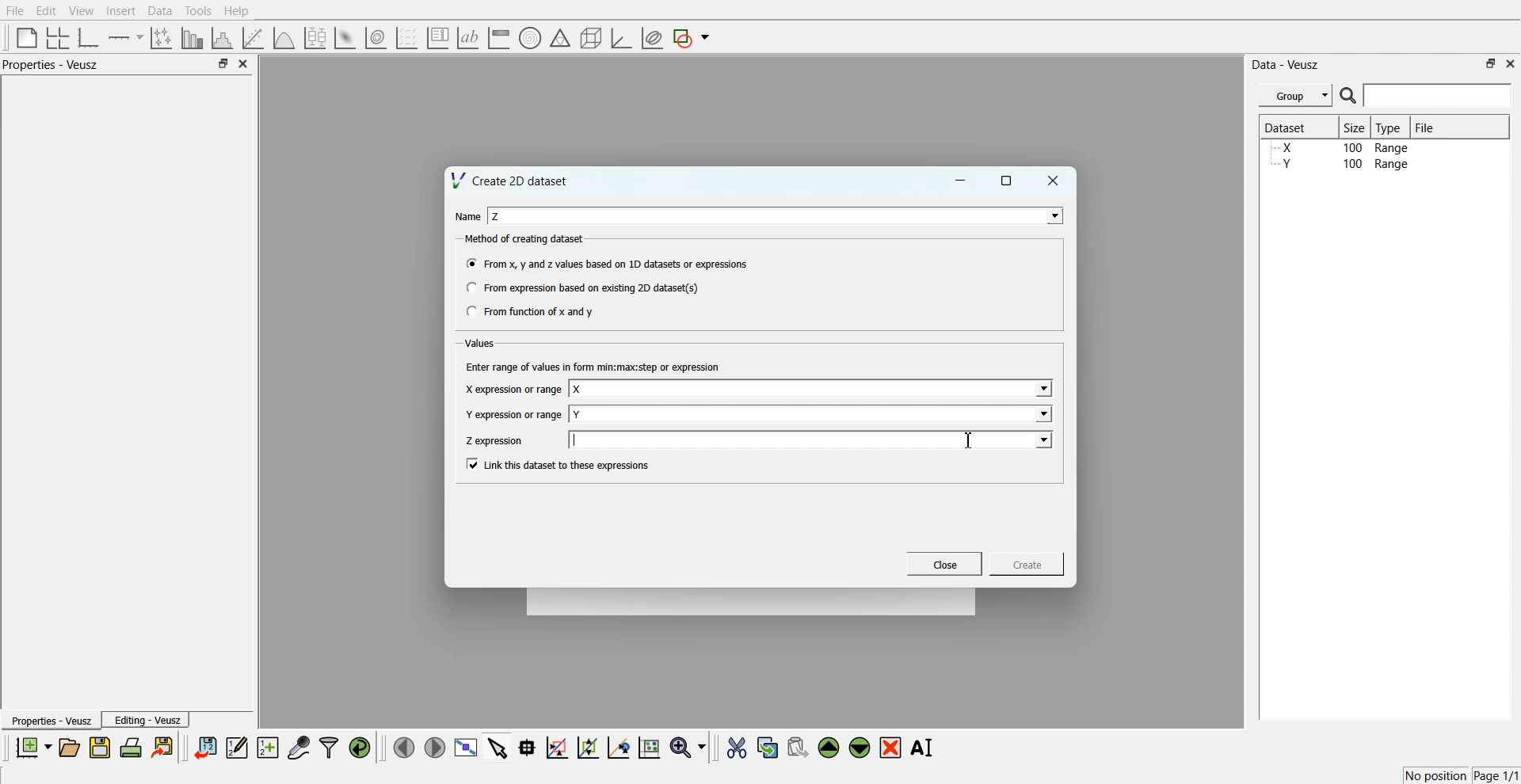 The image size is (1521, 784). What do you see at coordinates (315, 38) in the screenshot?
I see `Plot box plots` at bounding box center [315, 38].